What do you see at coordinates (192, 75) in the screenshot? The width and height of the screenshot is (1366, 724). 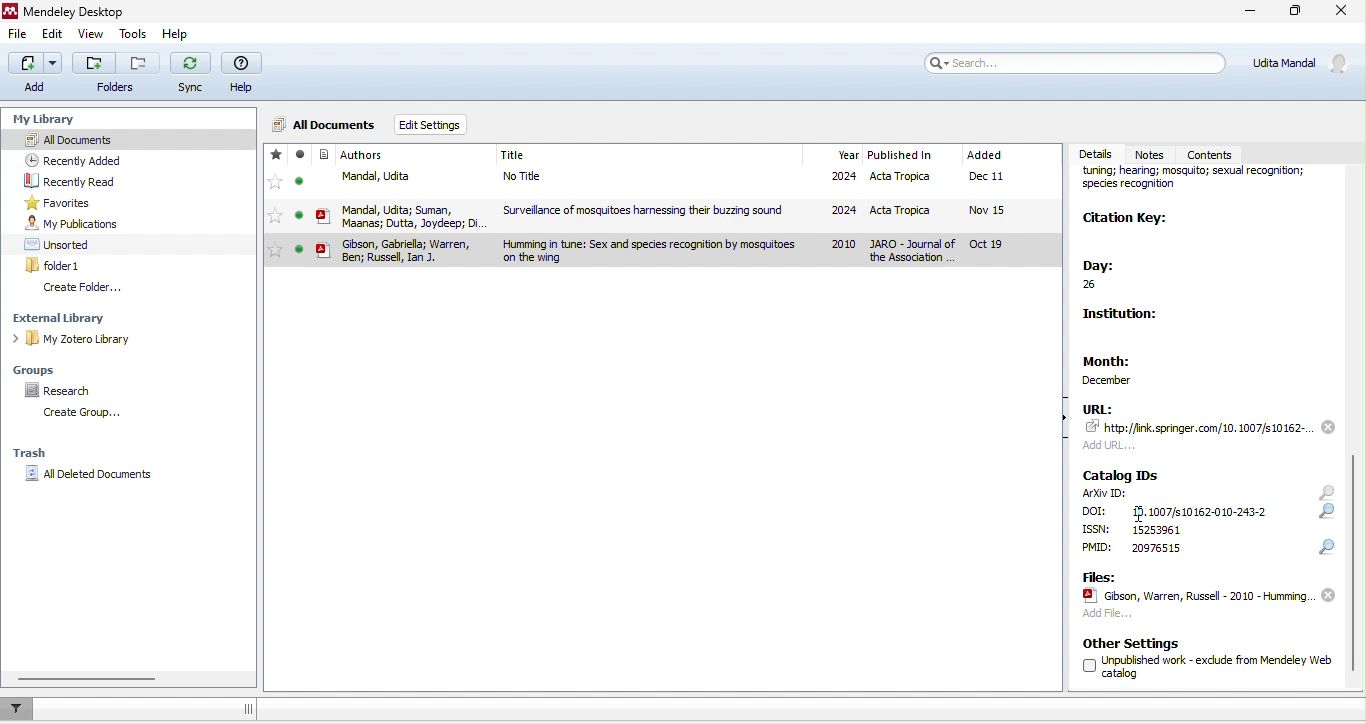 I see `sync` at bounding box center [192, 75].